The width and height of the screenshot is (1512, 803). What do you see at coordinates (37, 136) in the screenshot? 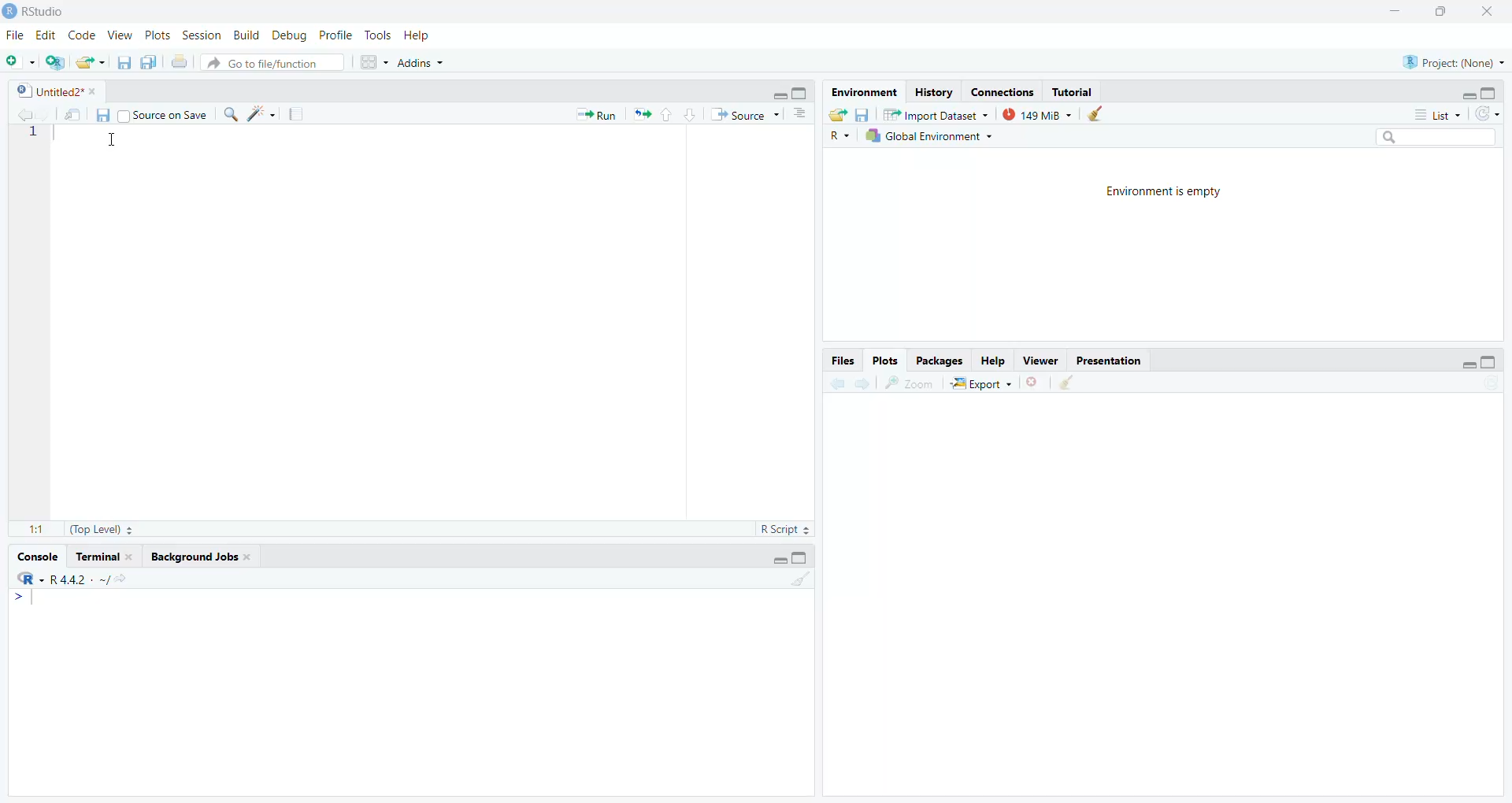
I see `1` at bounding box center [37, 136].